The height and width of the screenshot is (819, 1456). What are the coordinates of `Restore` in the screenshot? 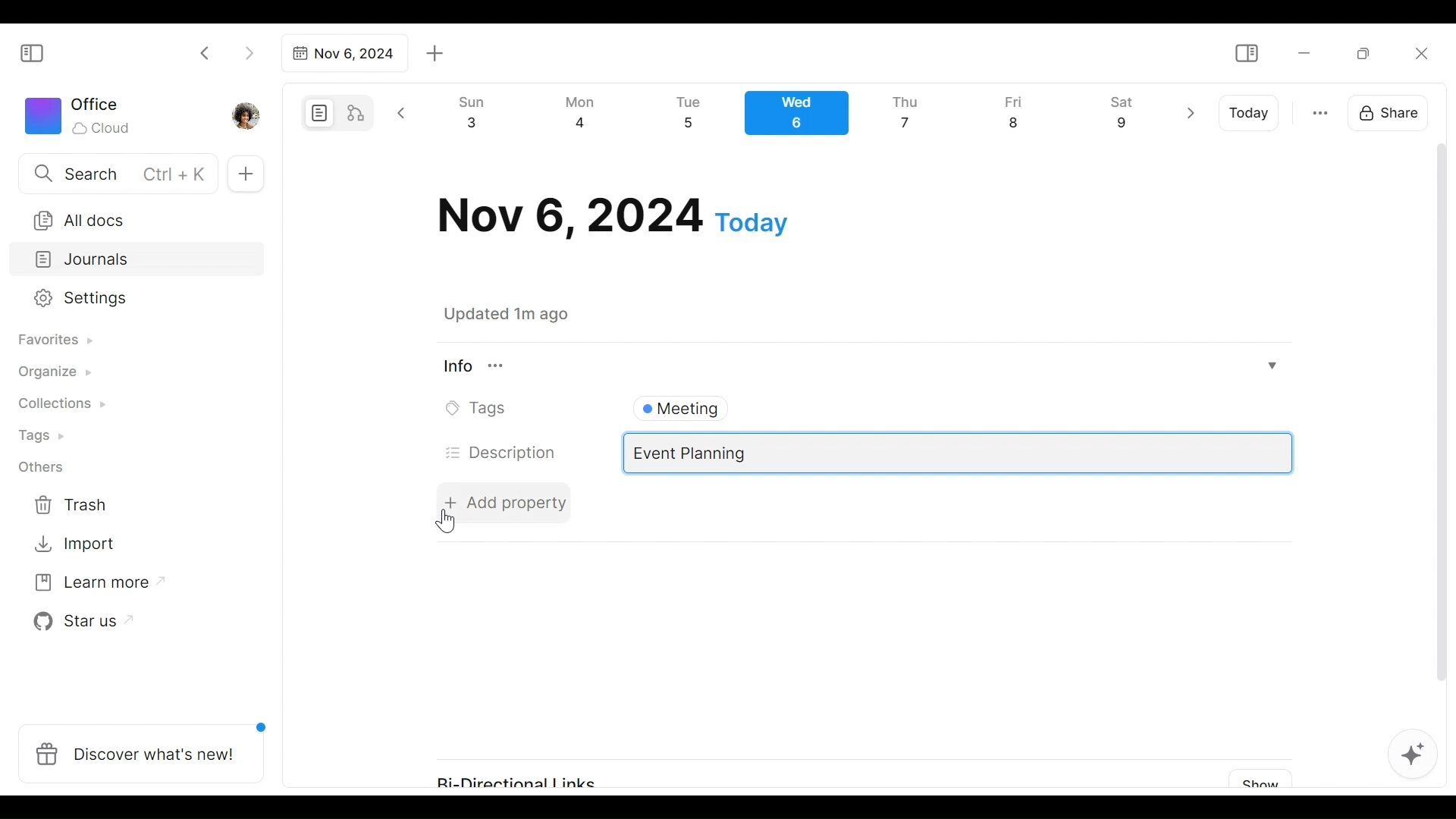 It's located at (1369, 52).